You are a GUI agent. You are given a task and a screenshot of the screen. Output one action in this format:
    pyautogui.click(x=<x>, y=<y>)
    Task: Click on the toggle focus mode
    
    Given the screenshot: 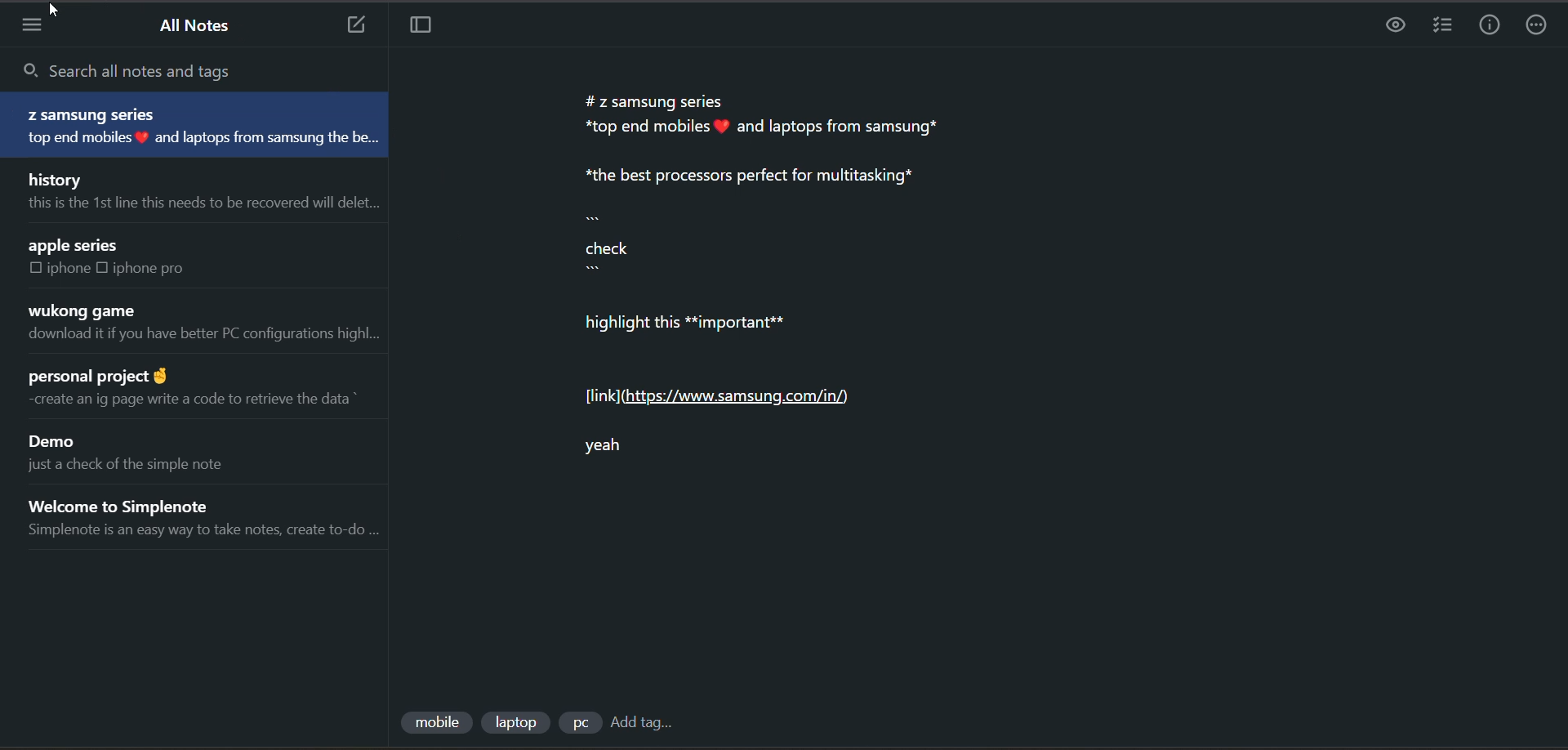 What is the action you would take?
    pyautogui.click(x=421, y=27)
    